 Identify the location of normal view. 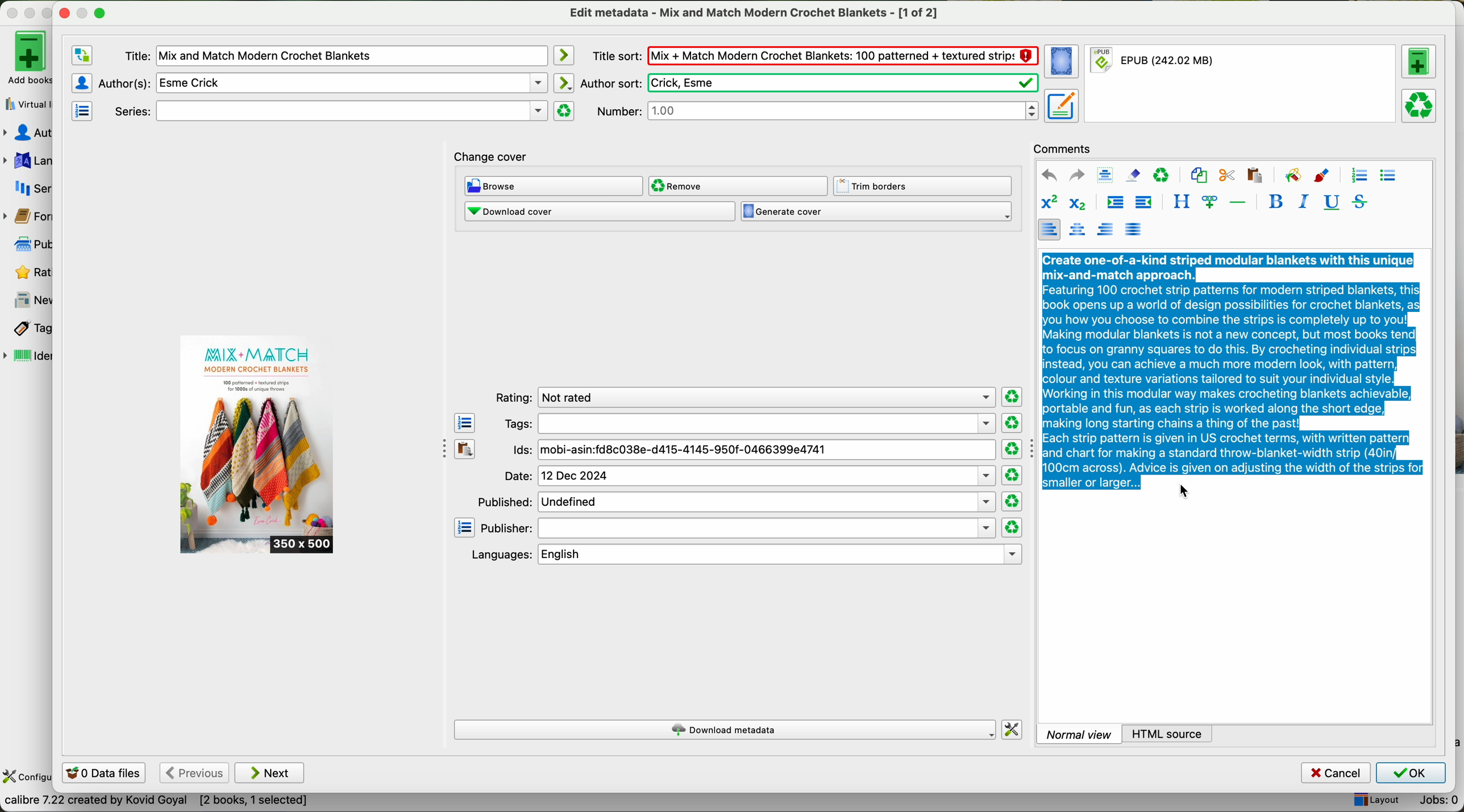
(1079, 734).